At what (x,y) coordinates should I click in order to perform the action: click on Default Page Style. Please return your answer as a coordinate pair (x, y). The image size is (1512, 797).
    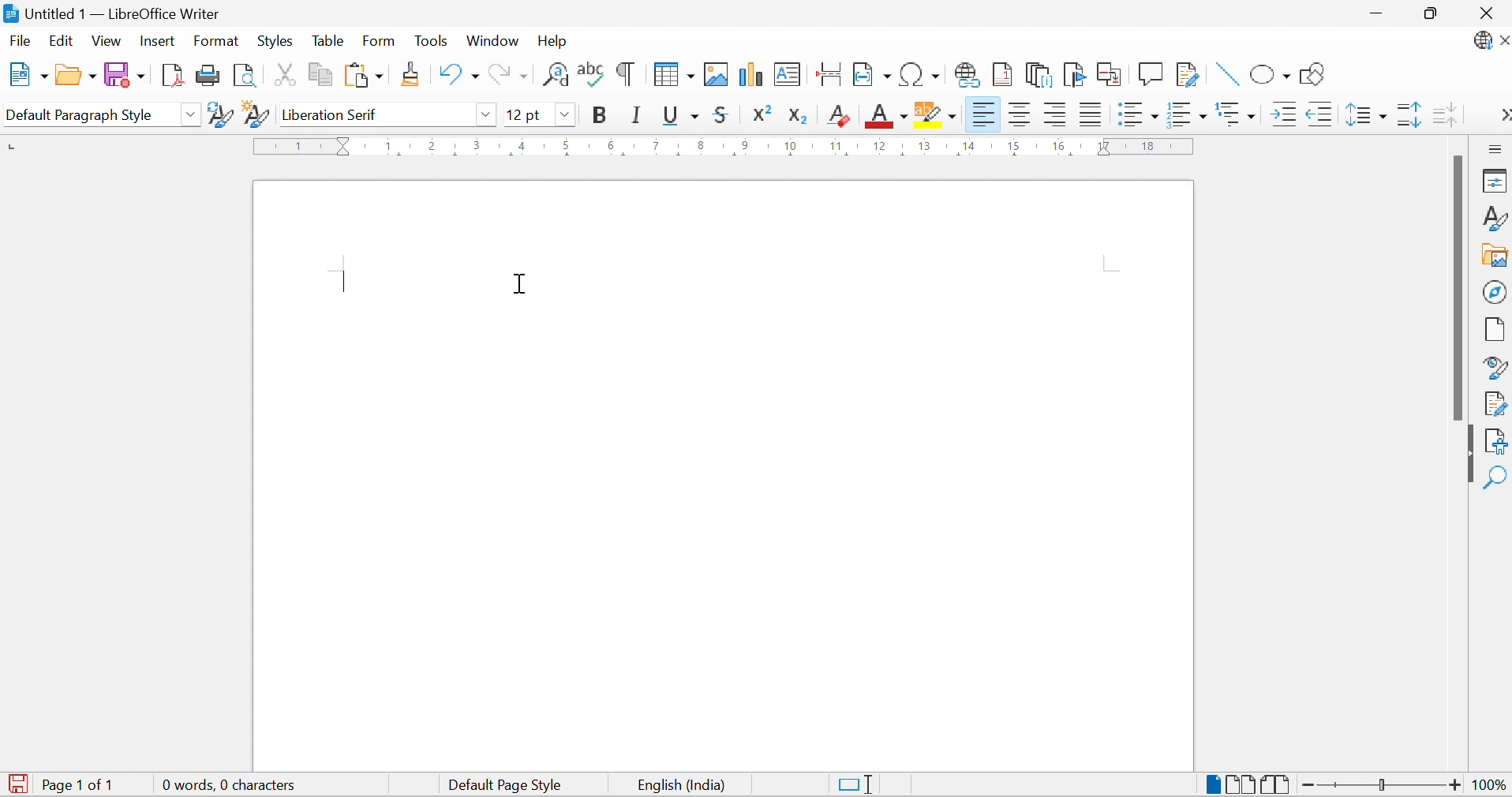
    Looking at the image, I should click on (507, 785).